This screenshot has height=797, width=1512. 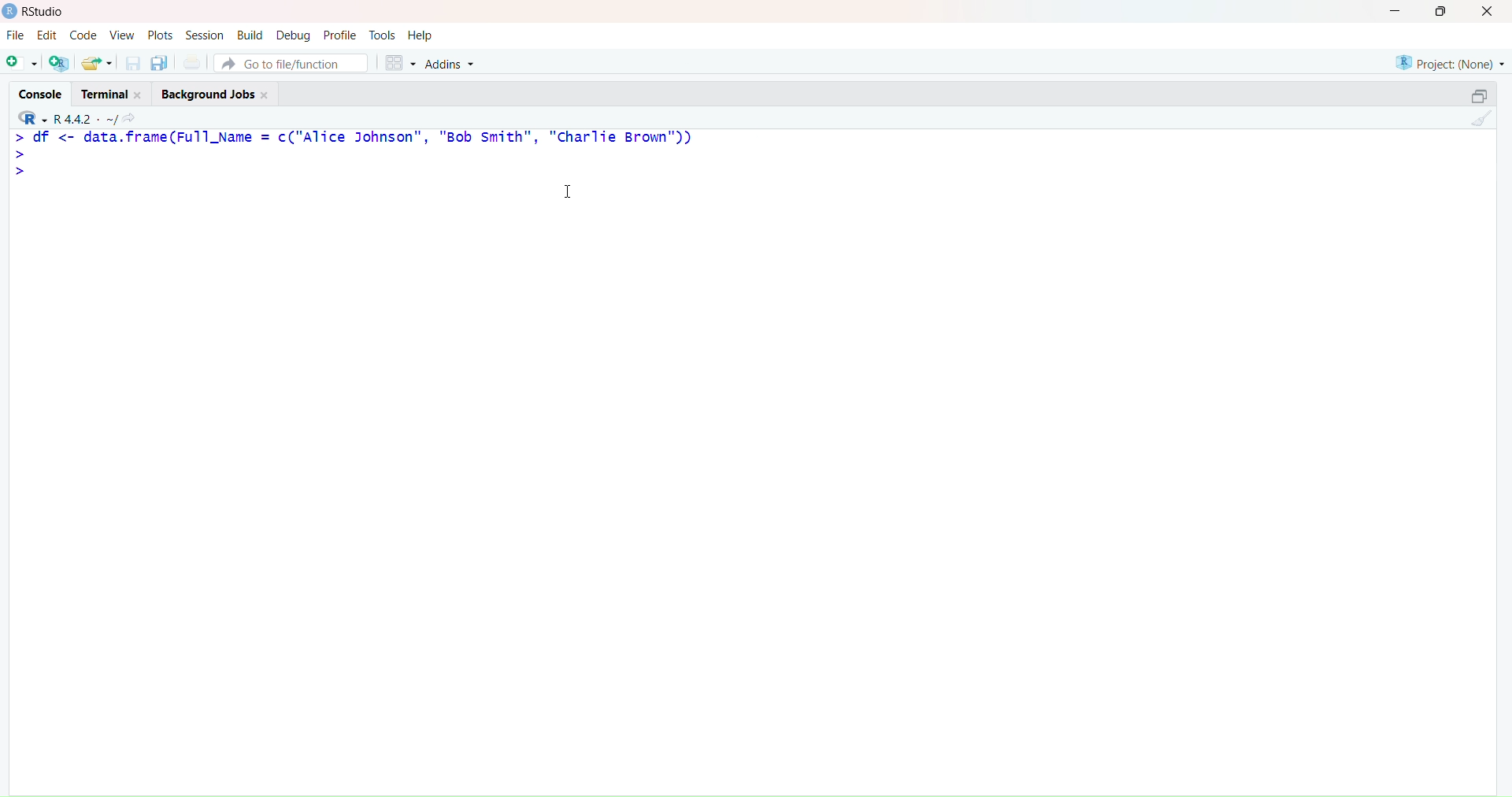 I want to click on Debug, so click(x=293, y=35).